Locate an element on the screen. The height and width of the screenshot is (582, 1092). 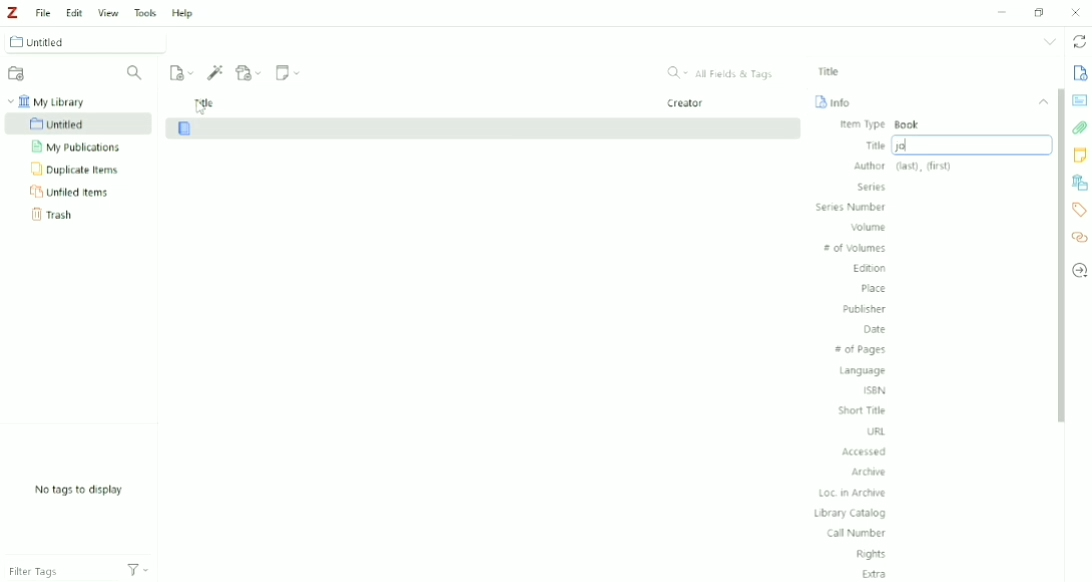
Untitled is located at coordinates (89, 41).